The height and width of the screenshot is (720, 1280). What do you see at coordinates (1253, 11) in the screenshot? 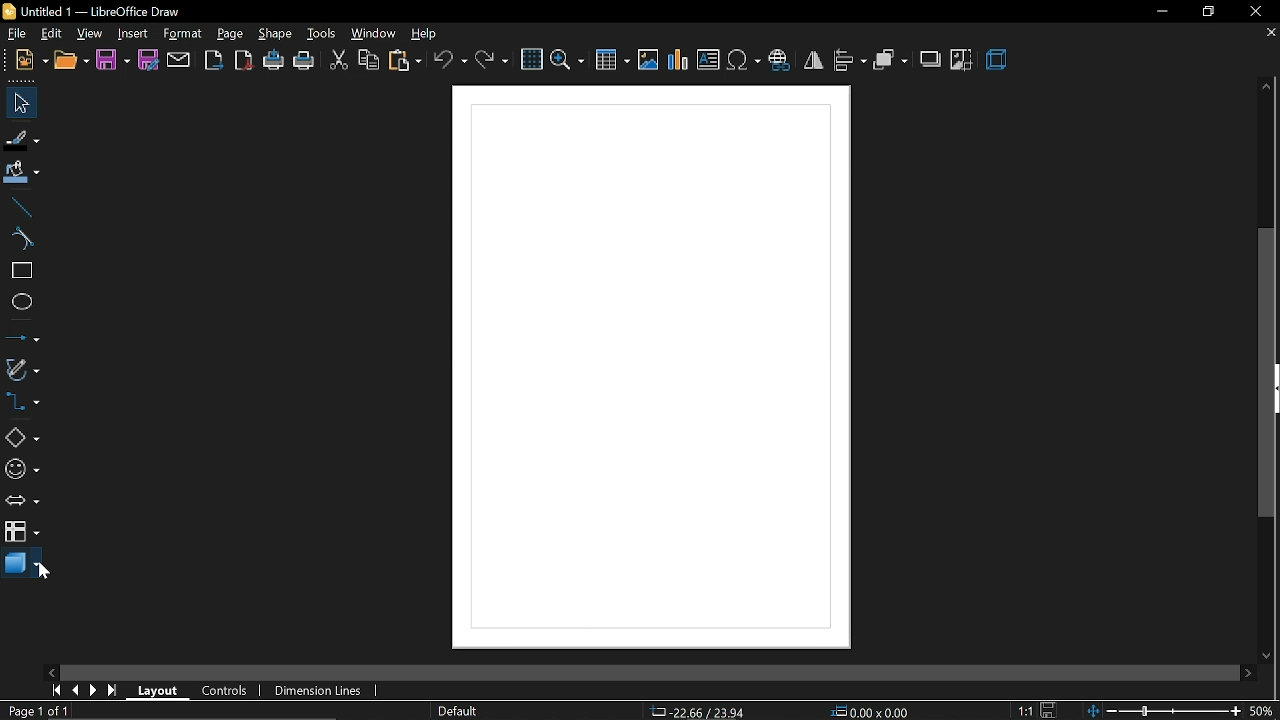
I see `close` at bounding box center [1253, 11].